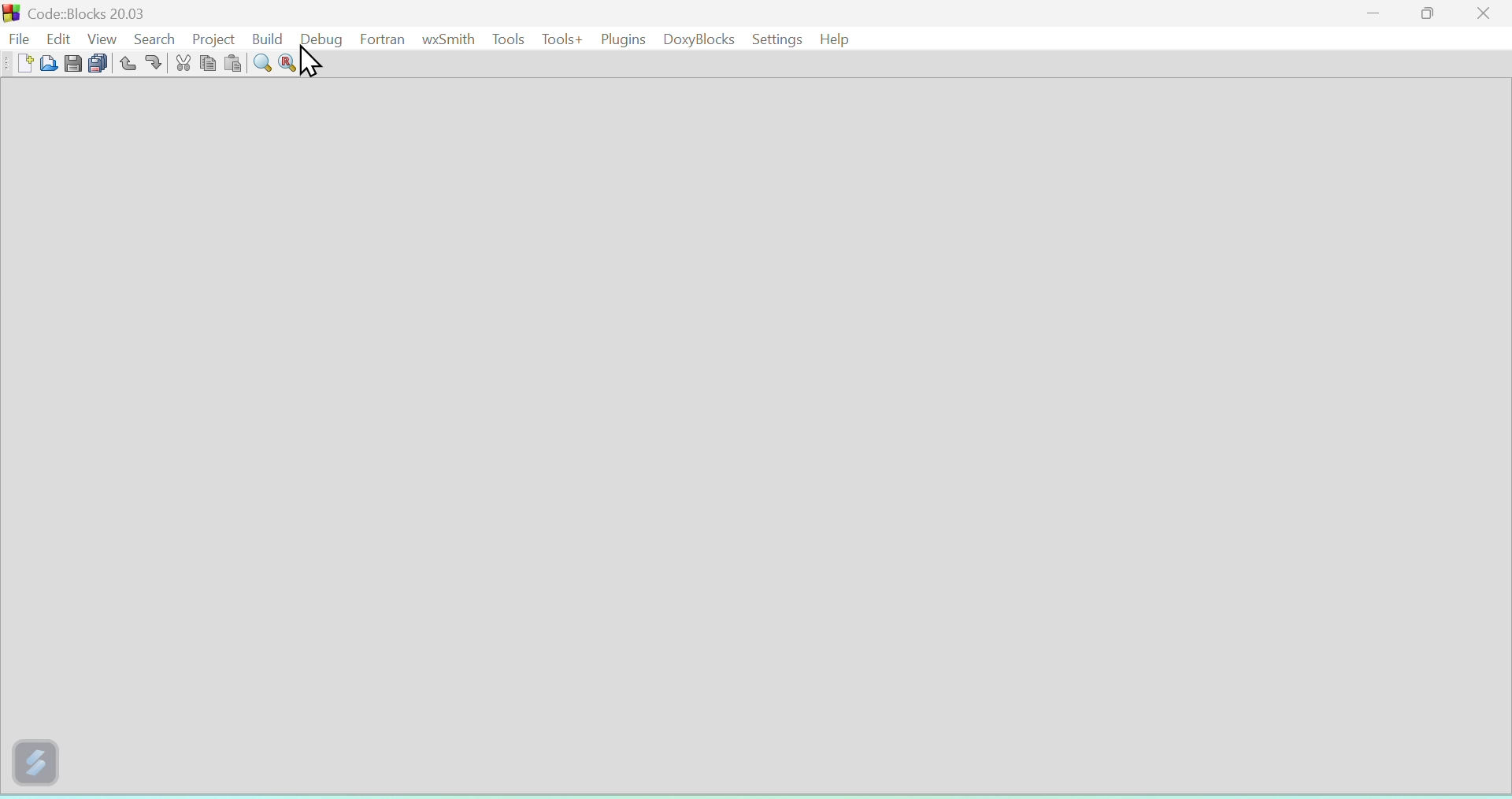 The image size is (1512, 799). I want to click on undo, so click(124, 63).